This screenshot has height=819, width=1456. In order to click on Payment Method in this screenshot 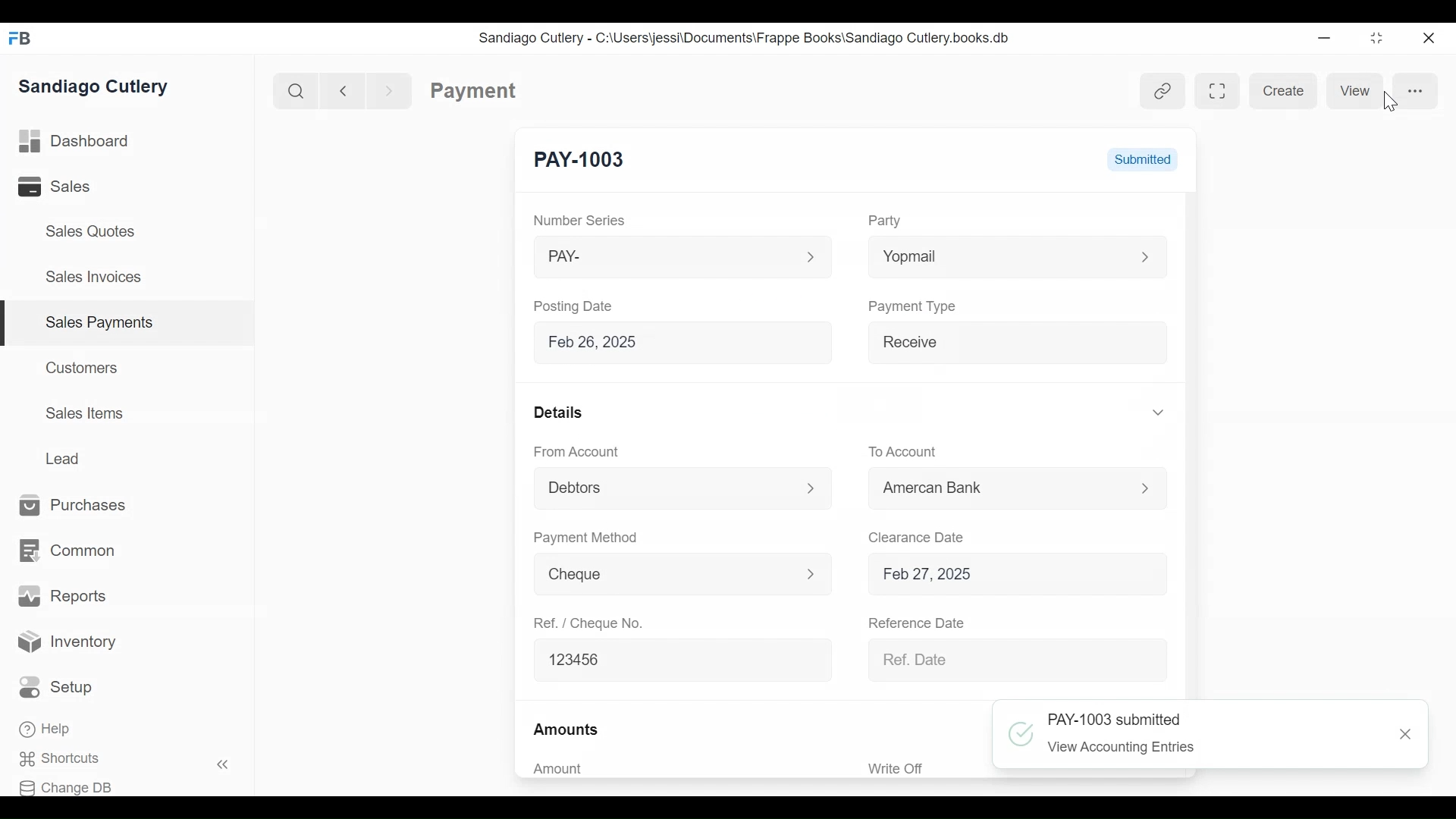, I will do `click(586, 537)`.